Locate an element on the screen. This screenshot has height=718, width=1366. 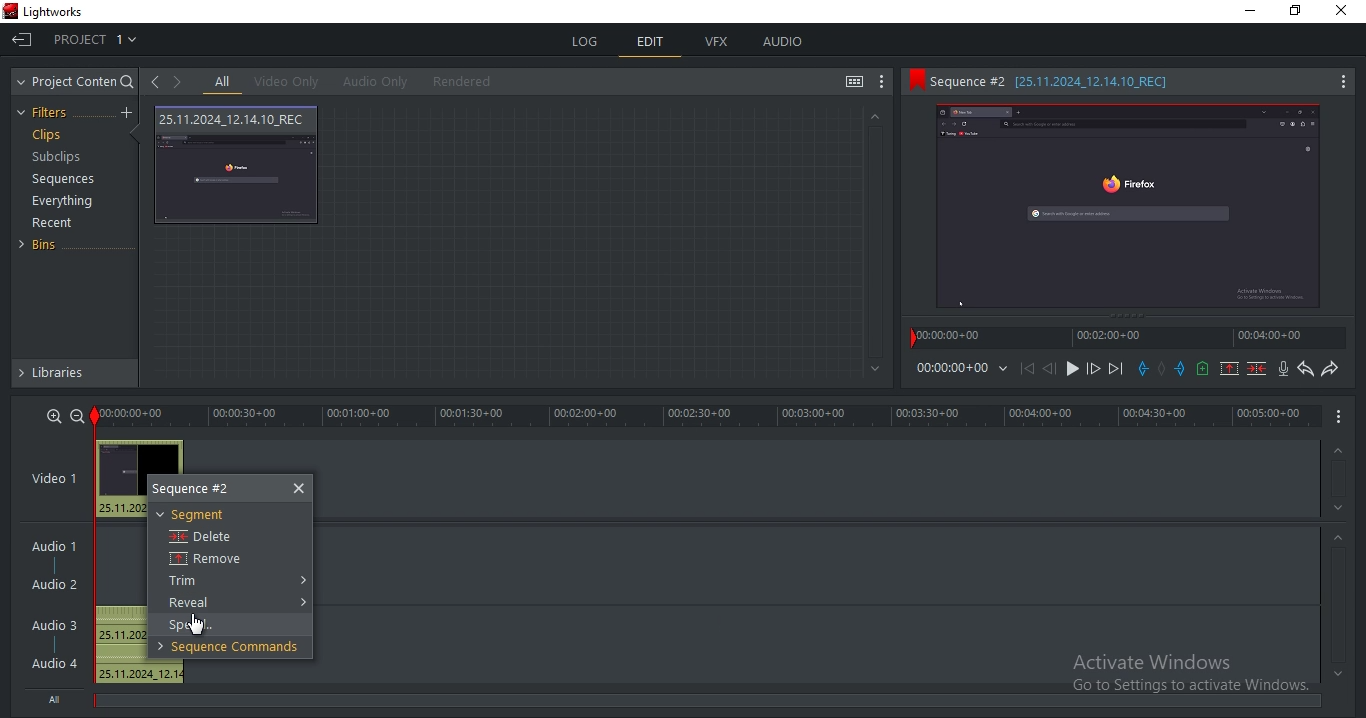
reveal is located at coordinates (193, 603).